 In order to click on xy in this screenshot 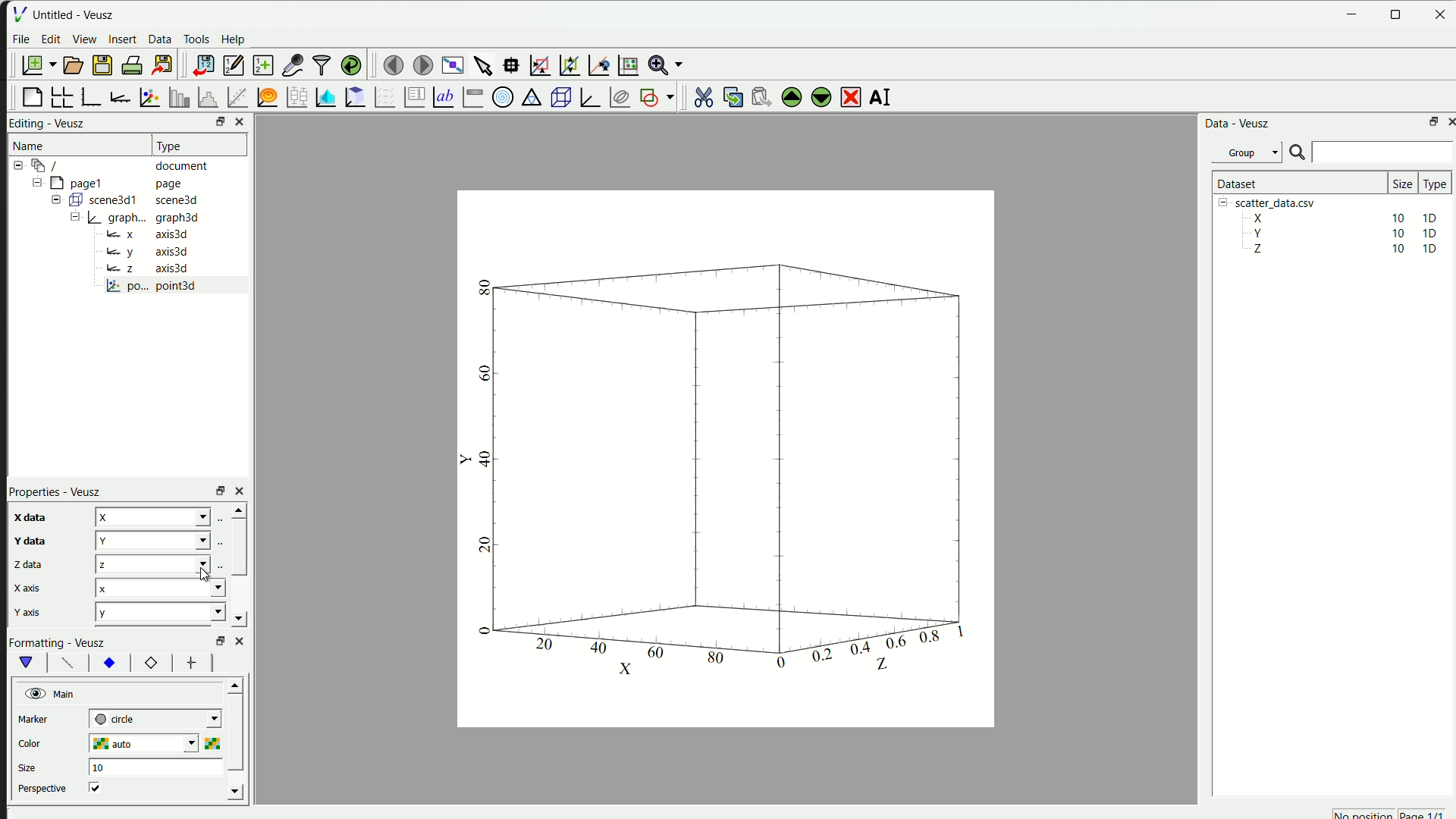, I will do `click(110, 664)`.